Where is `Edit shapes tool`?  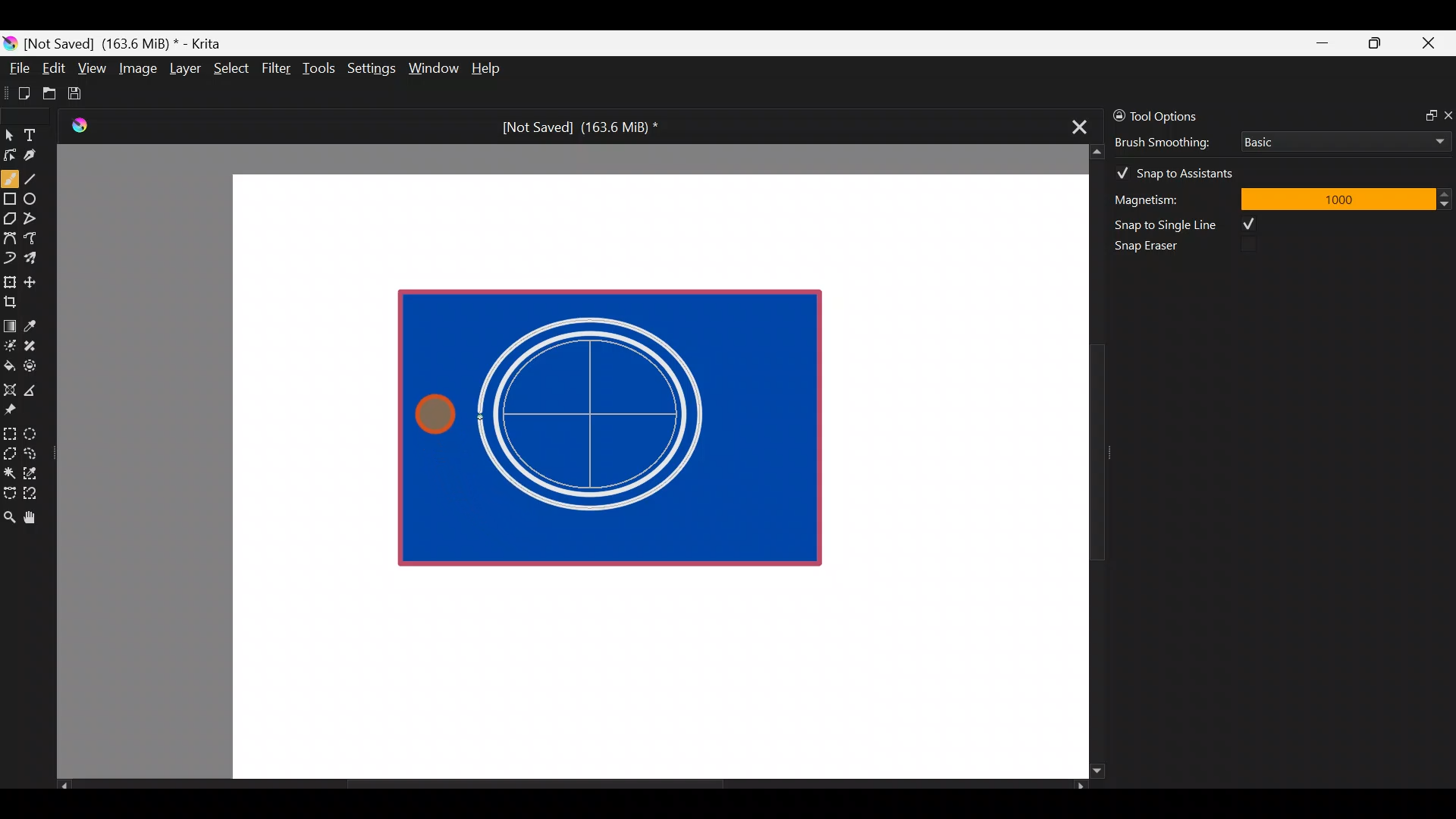 Edit shapes tool is located at coordinates (10, 154).